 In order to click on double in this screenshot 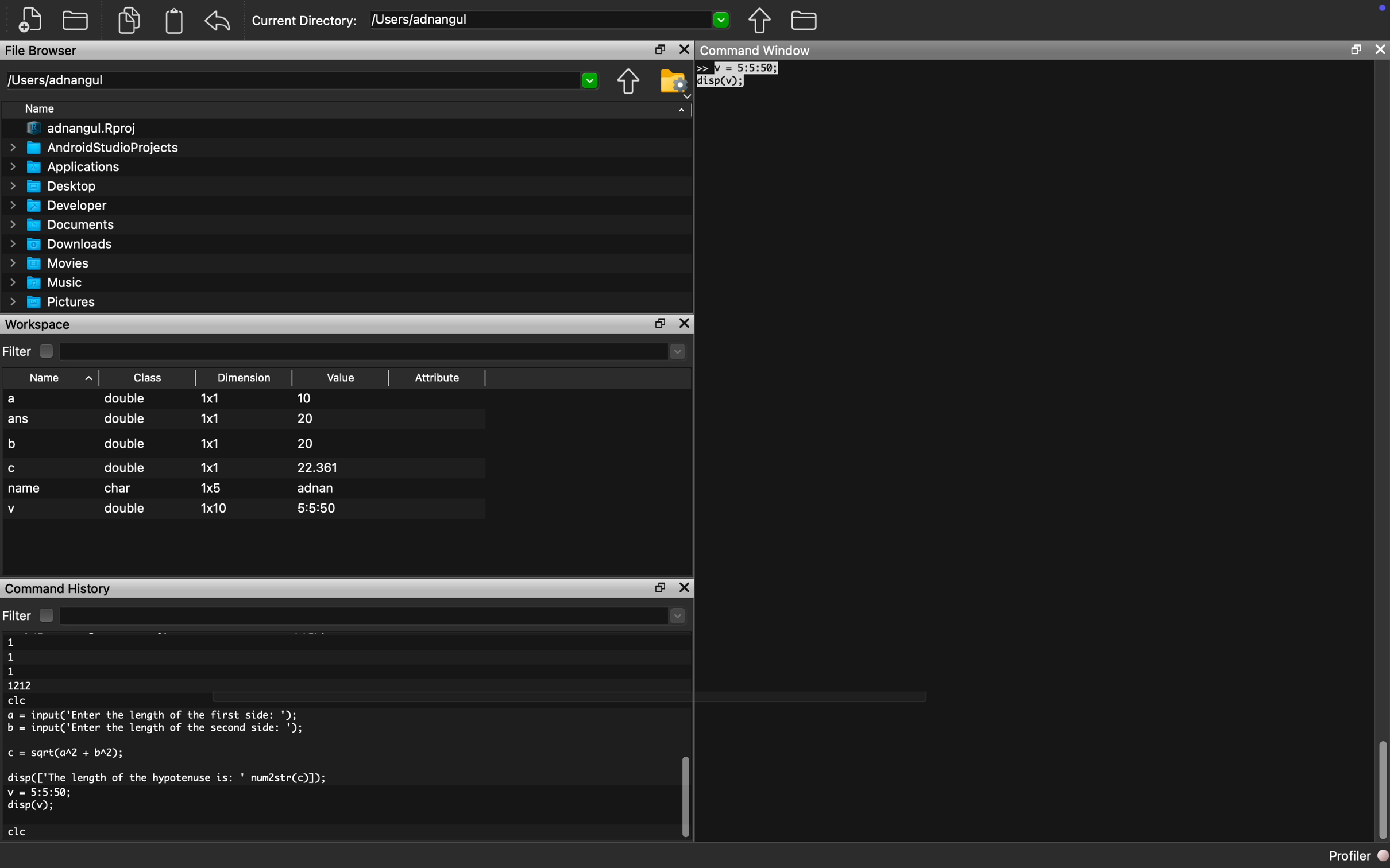, I will do `click(126, 467)`.